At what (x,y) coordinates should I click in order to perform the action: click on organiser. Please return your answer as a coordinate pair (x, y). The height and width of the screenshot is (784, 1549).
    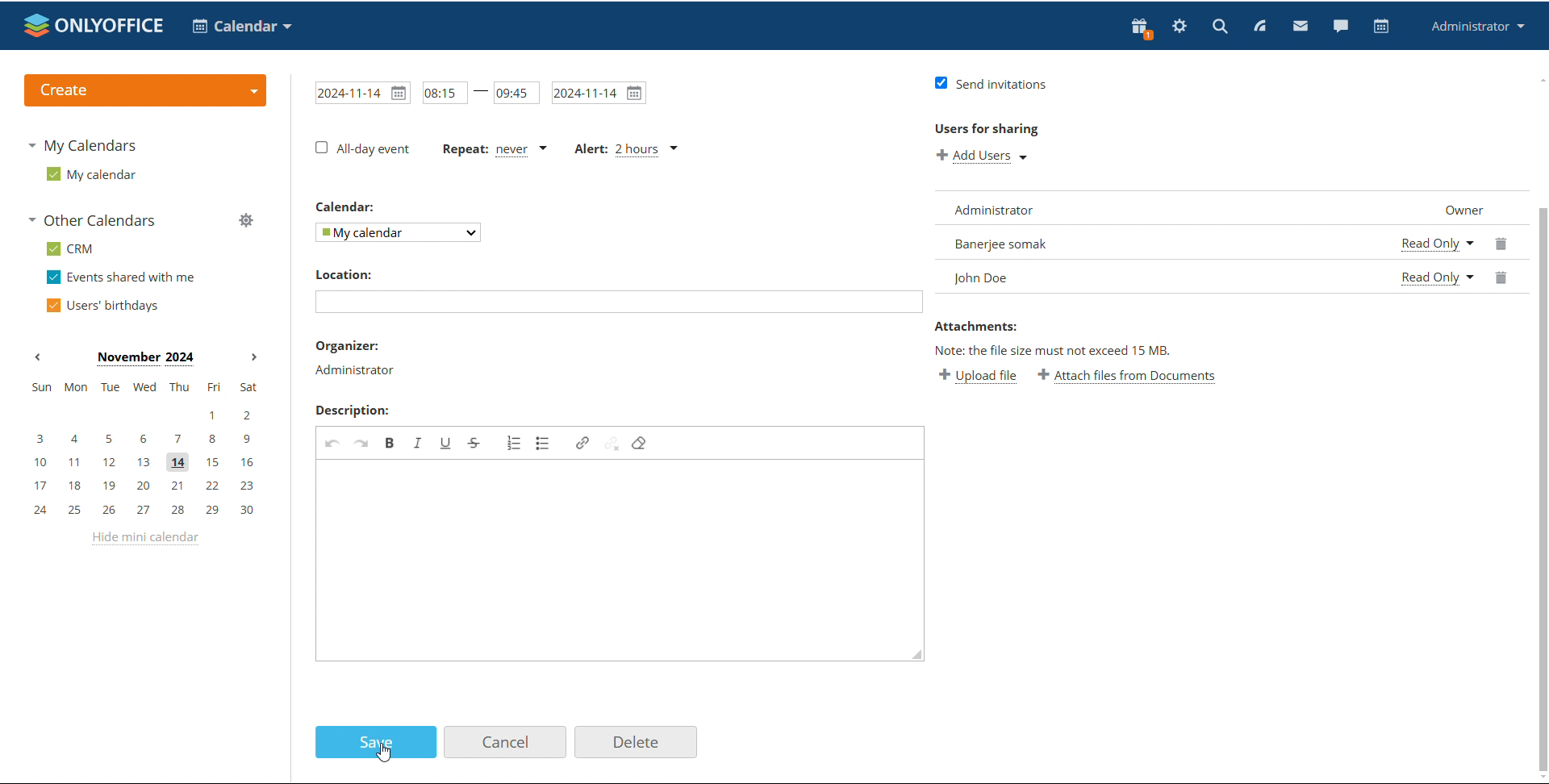
    Looking at the image, I should click on (350, 345).